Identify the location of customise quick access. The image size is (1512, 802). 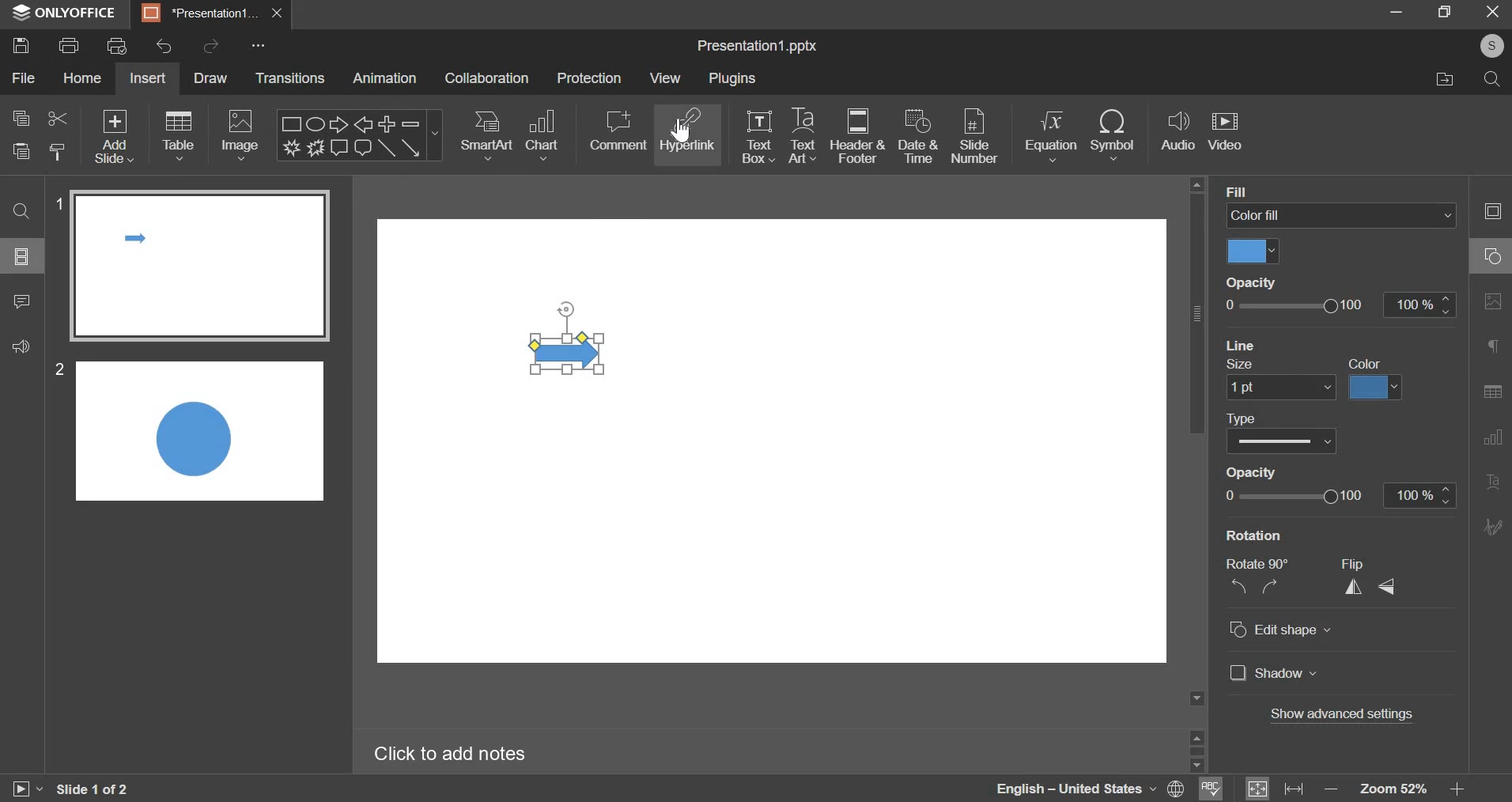
(259, 44).